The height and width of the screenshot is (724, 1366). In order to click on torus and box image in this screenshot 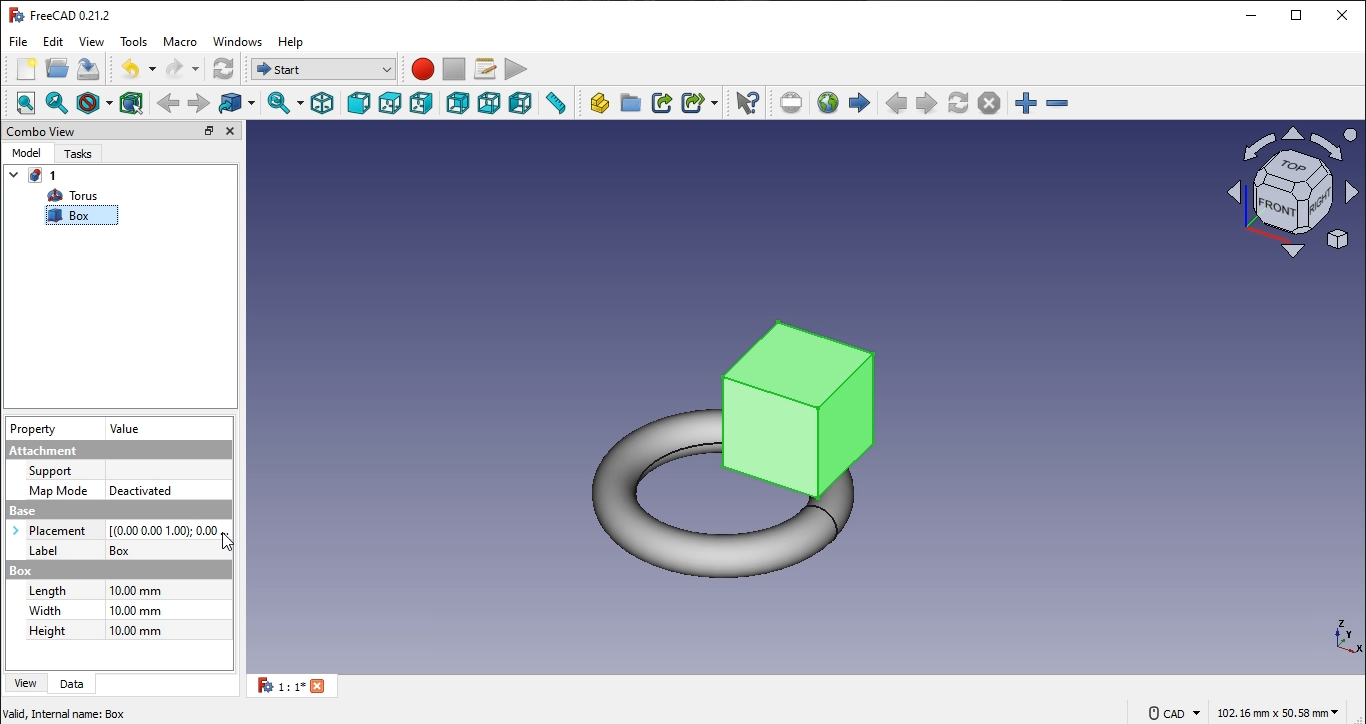, I will do `click(744, 447)`.